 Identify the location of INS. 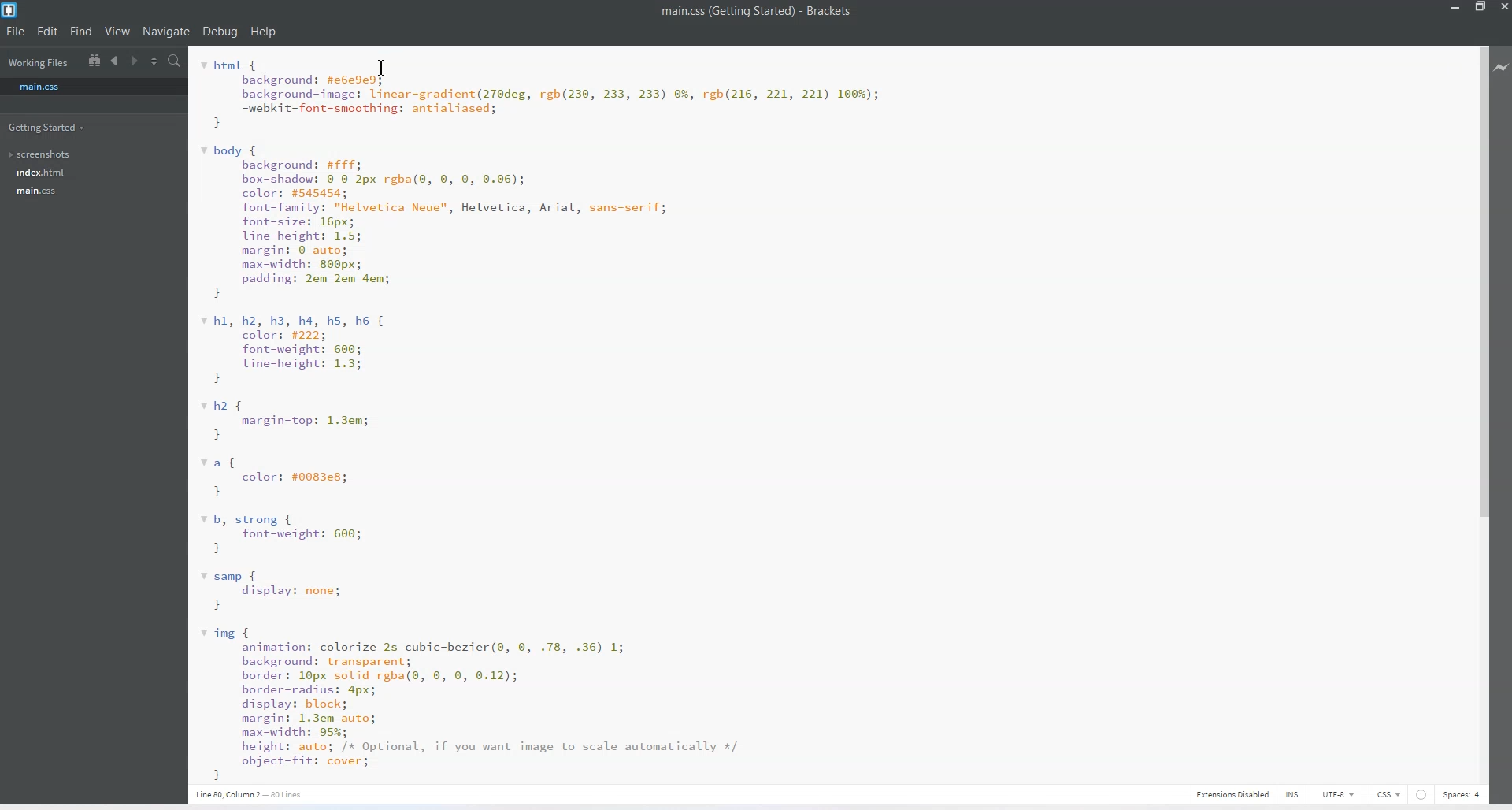
(1291, 794).